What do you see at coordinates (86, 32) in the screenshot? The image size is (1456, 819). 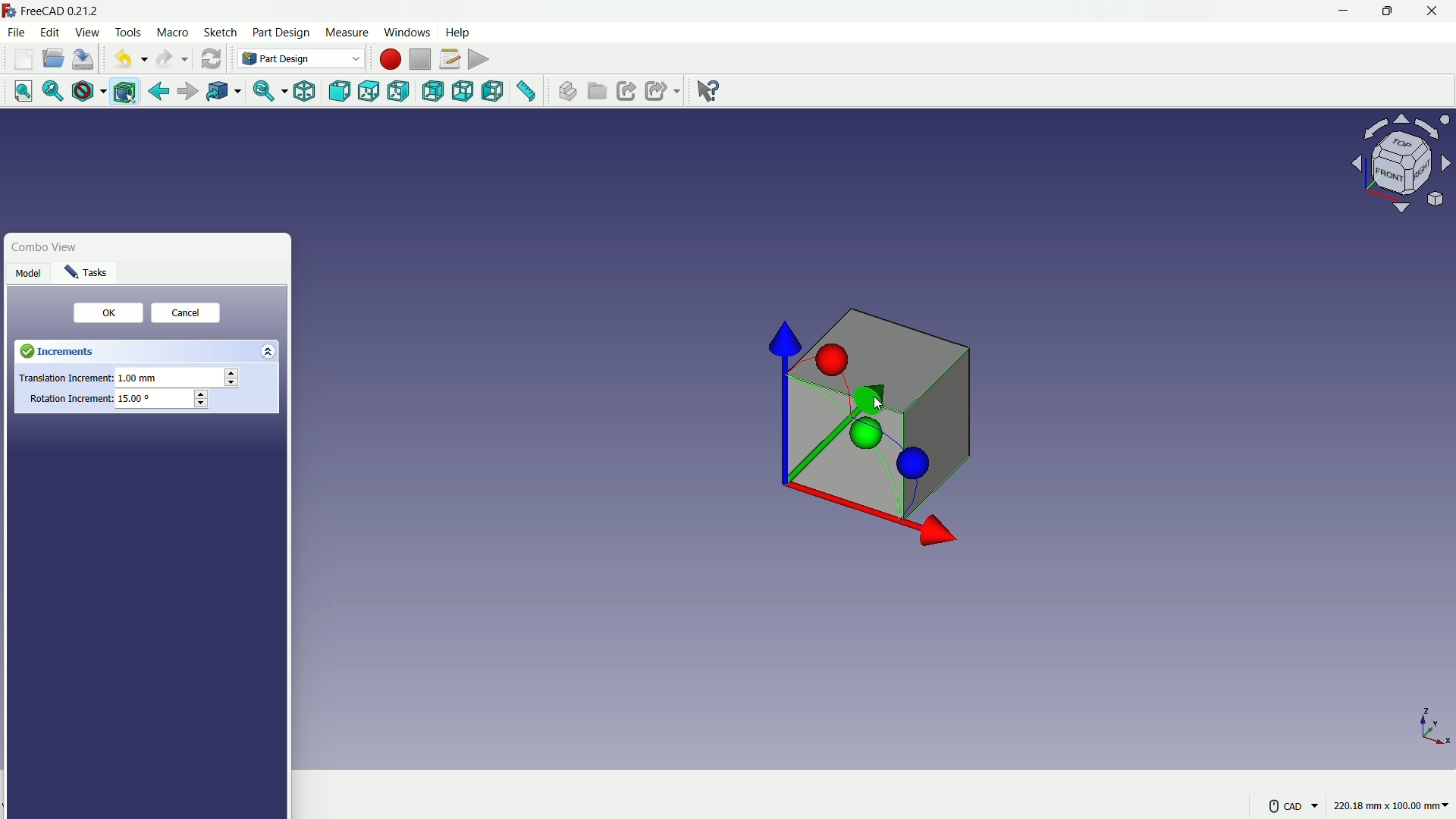 I see `view` at bounding box center [86, 32].